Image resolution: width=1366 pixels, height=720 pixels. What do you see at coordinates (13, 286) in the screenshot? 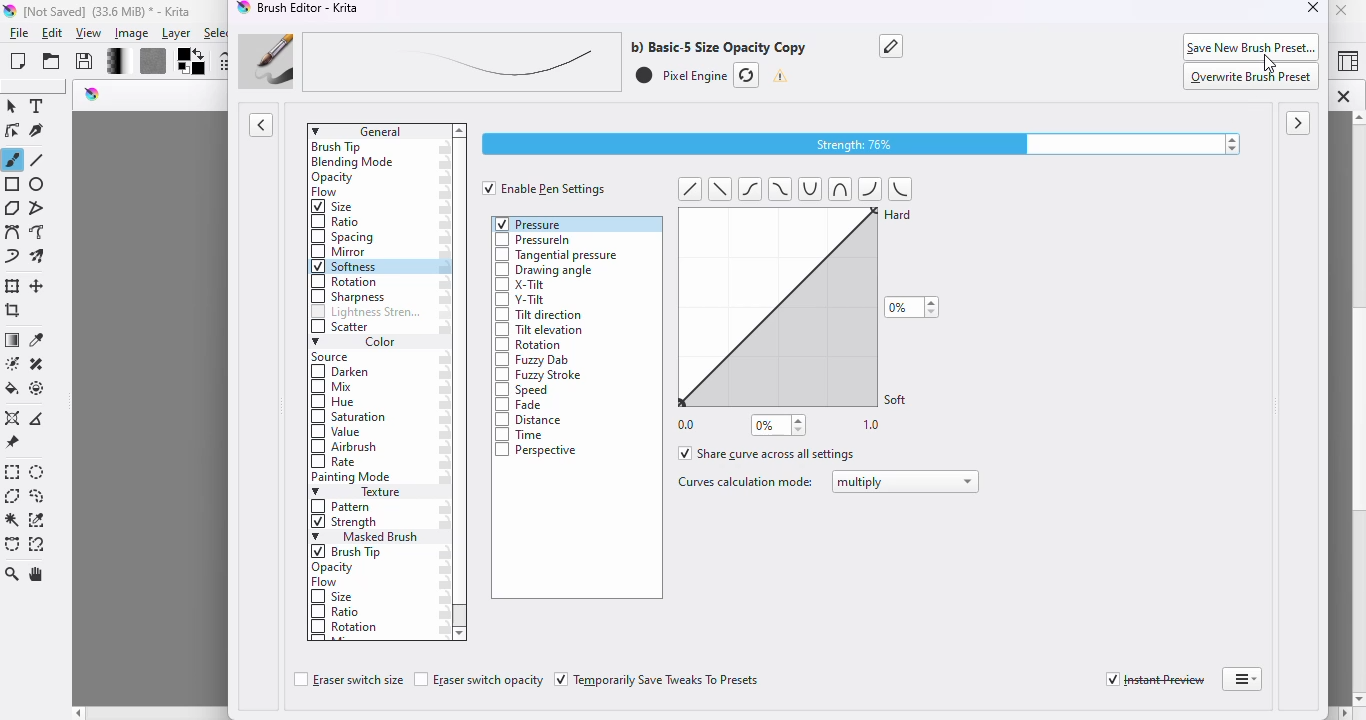
I see `transform a layer or a section` at bounding box center [13, 286].